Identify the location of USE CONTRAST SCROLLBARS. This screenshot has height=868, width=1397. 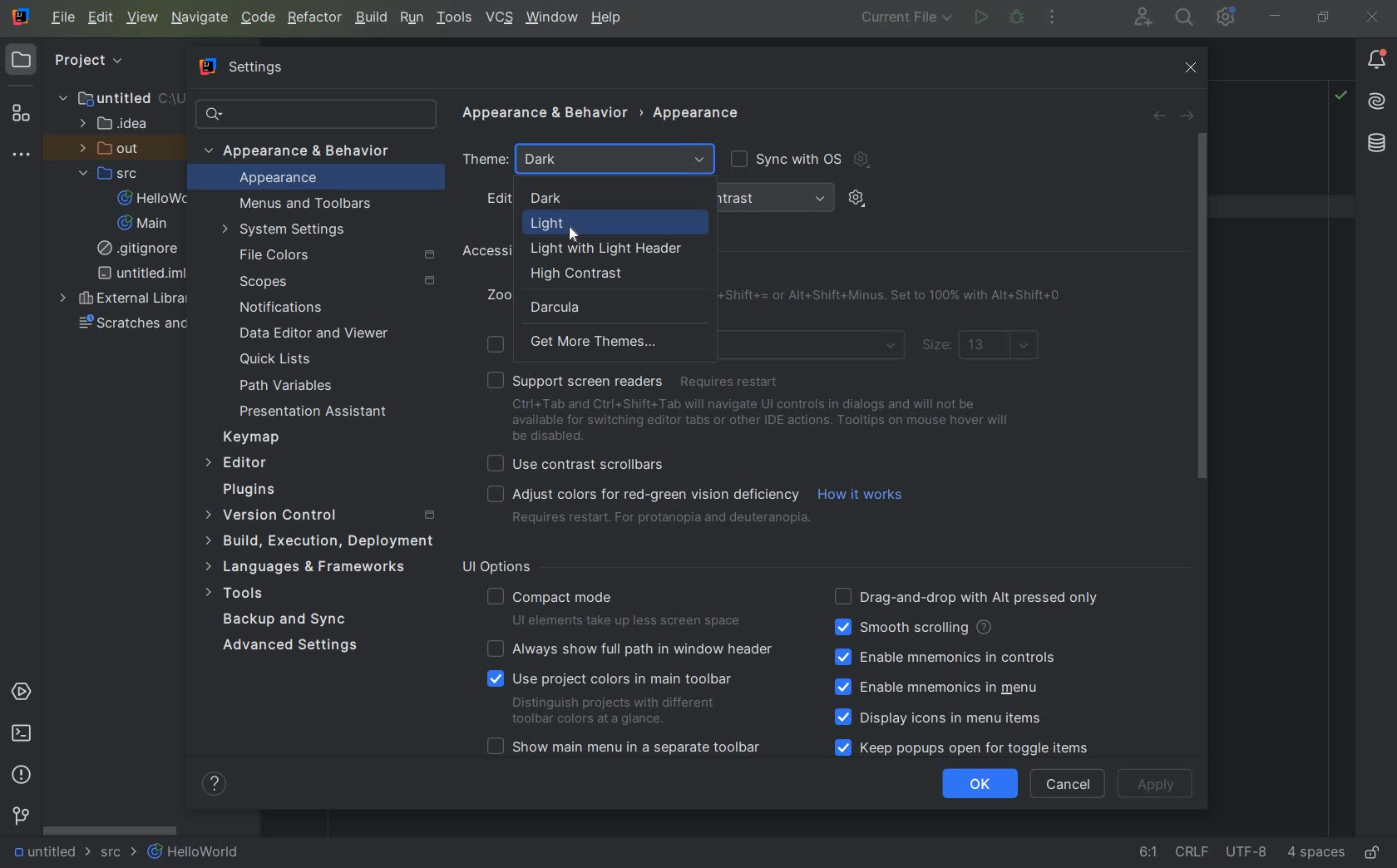
(581, 462).